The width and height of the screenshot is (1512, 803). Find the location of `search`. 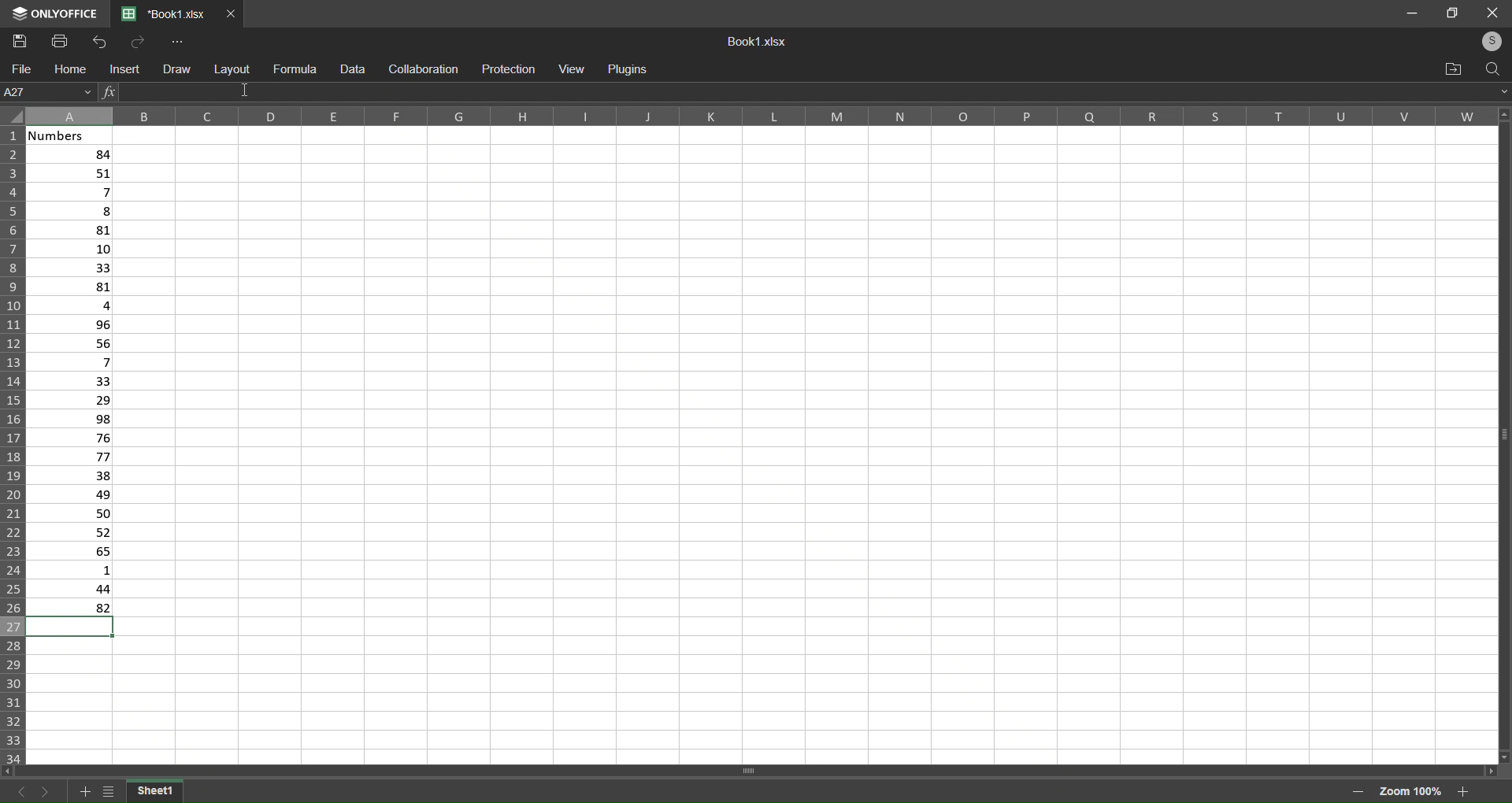

search is located at coordinates (1491, 69).